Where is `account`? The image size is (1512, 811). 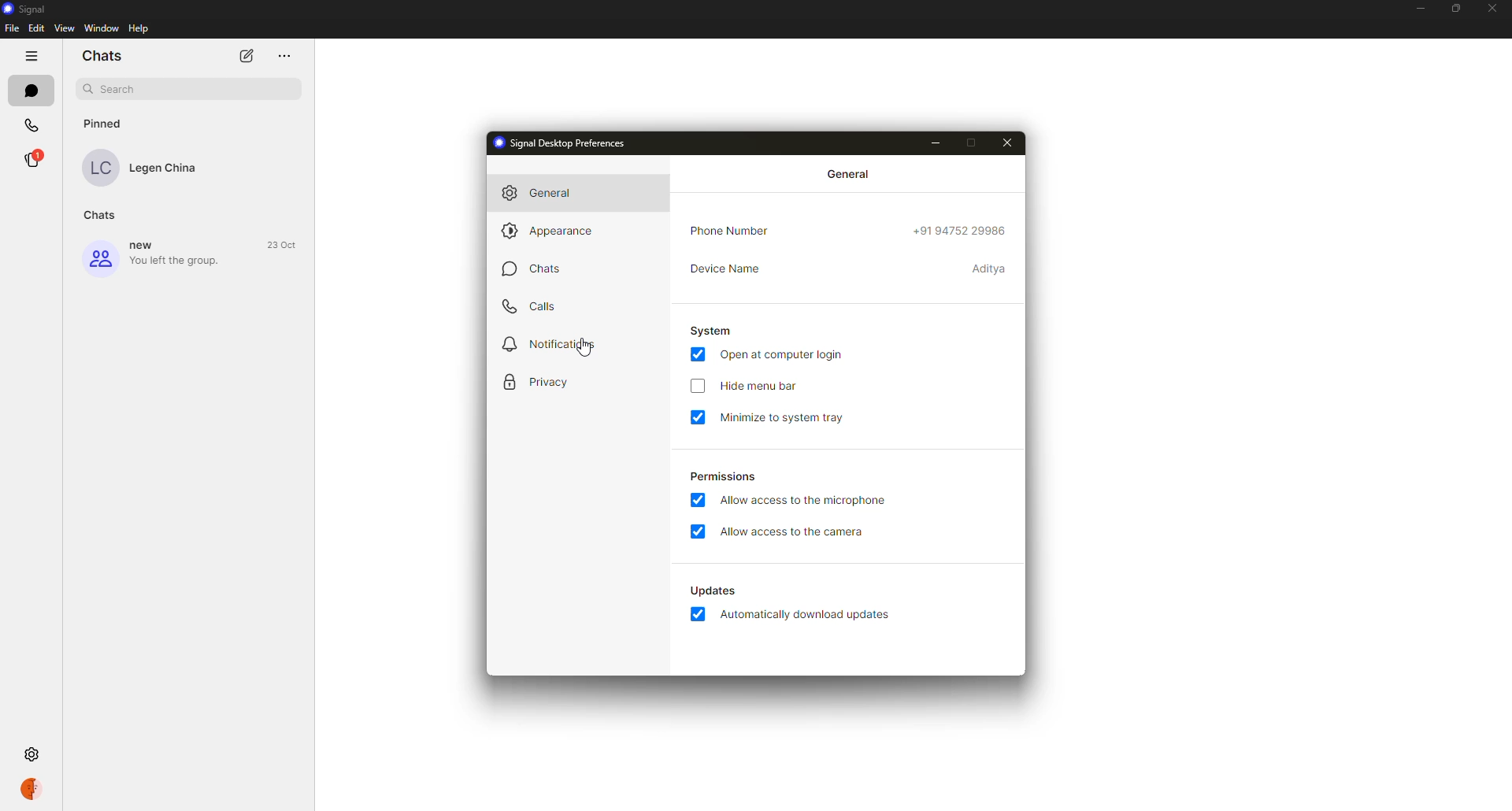
account is located at coordinates (26, 789).